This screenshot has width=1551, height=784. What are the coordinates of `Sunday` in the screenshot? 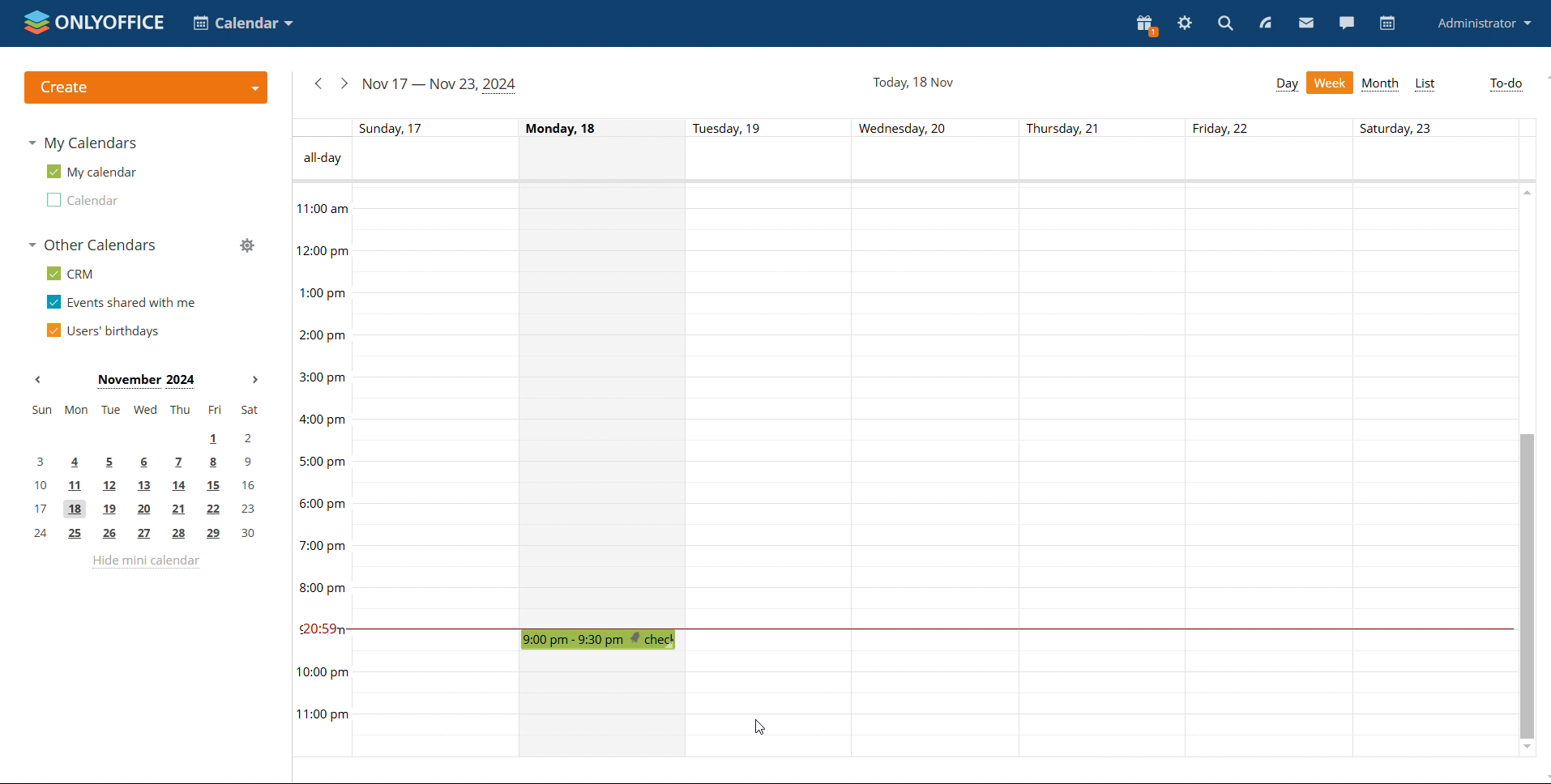 It's located at (438, 471).